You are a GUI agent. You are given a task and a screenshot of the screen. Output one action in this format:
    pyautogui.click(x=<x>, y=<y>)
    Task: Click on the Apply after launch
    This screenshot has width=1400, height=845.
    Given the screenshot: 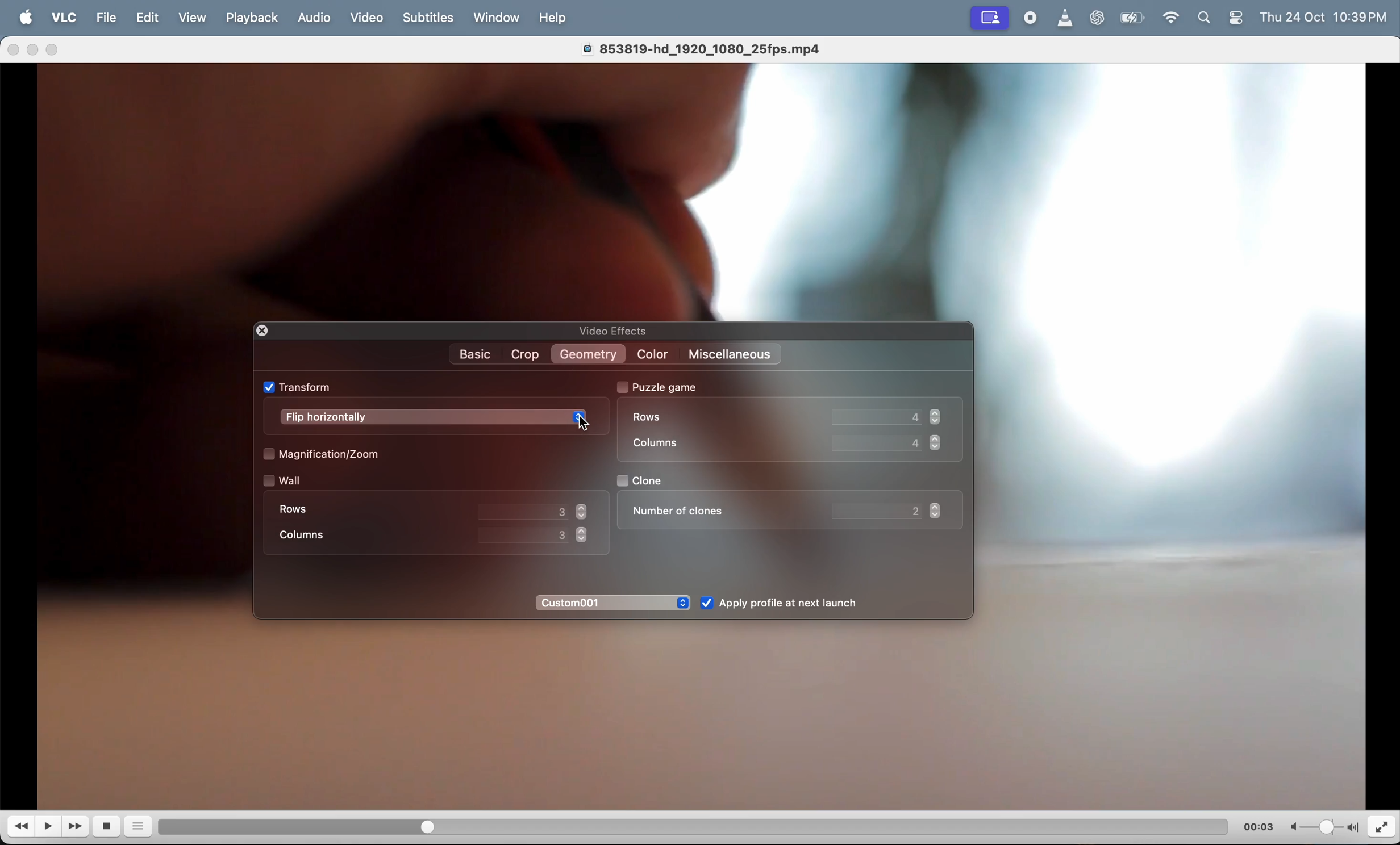 What is the action you would take?
    pyautogui.click(x=790, y=605)
    